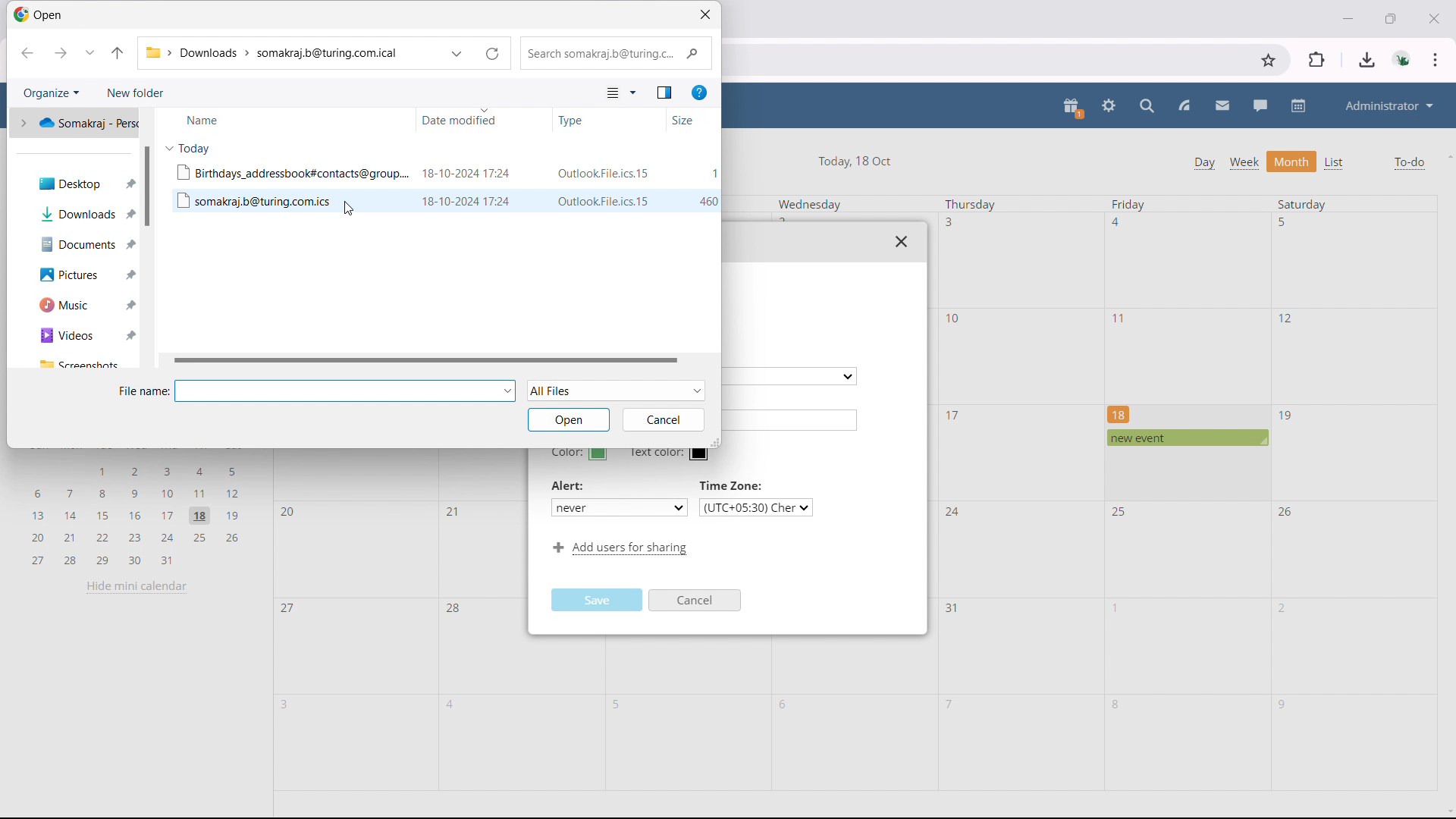  I want to click on close, so click(705, 14).